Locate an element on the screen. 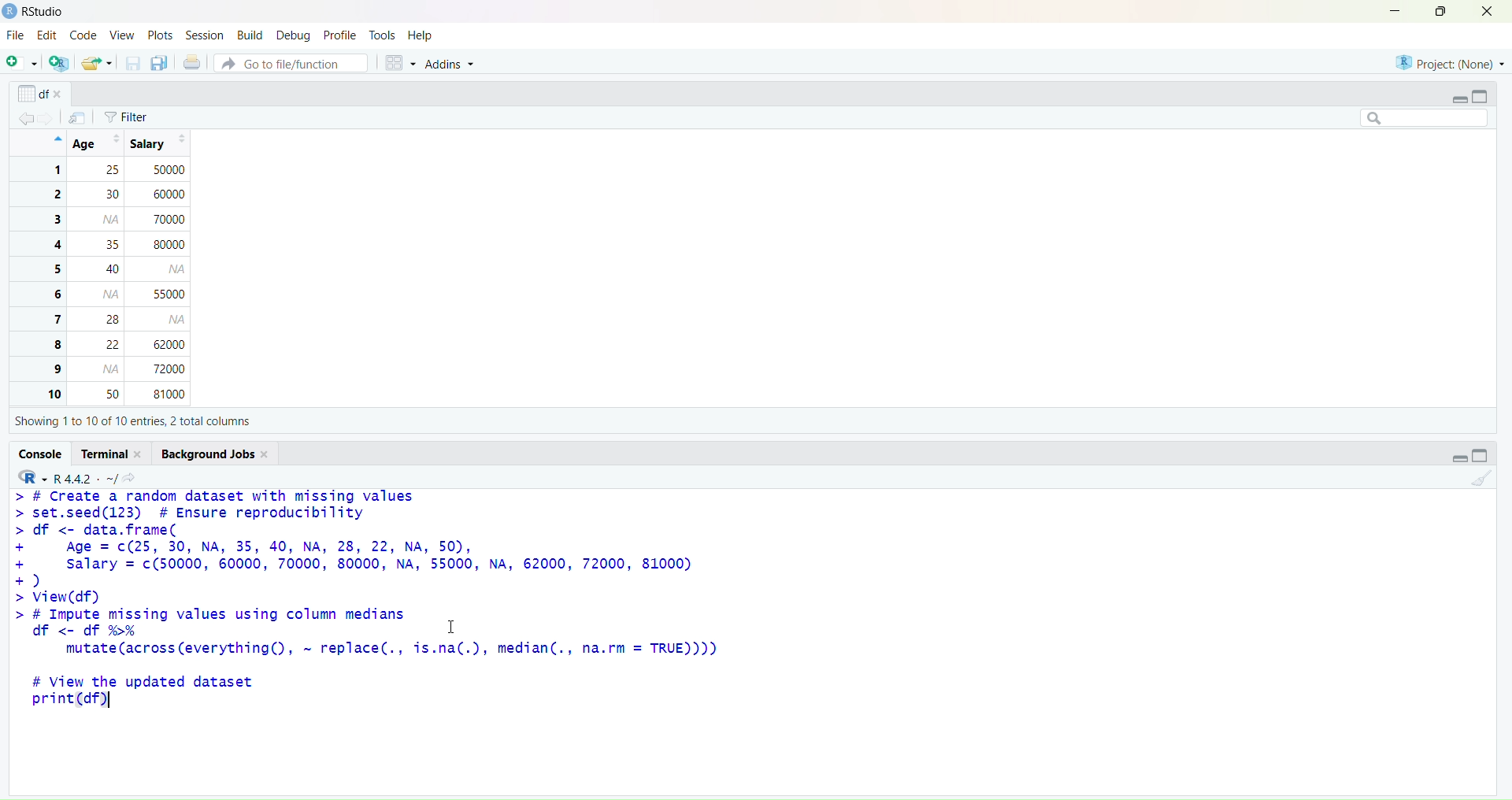  forward is located at coordinates (51, 118).